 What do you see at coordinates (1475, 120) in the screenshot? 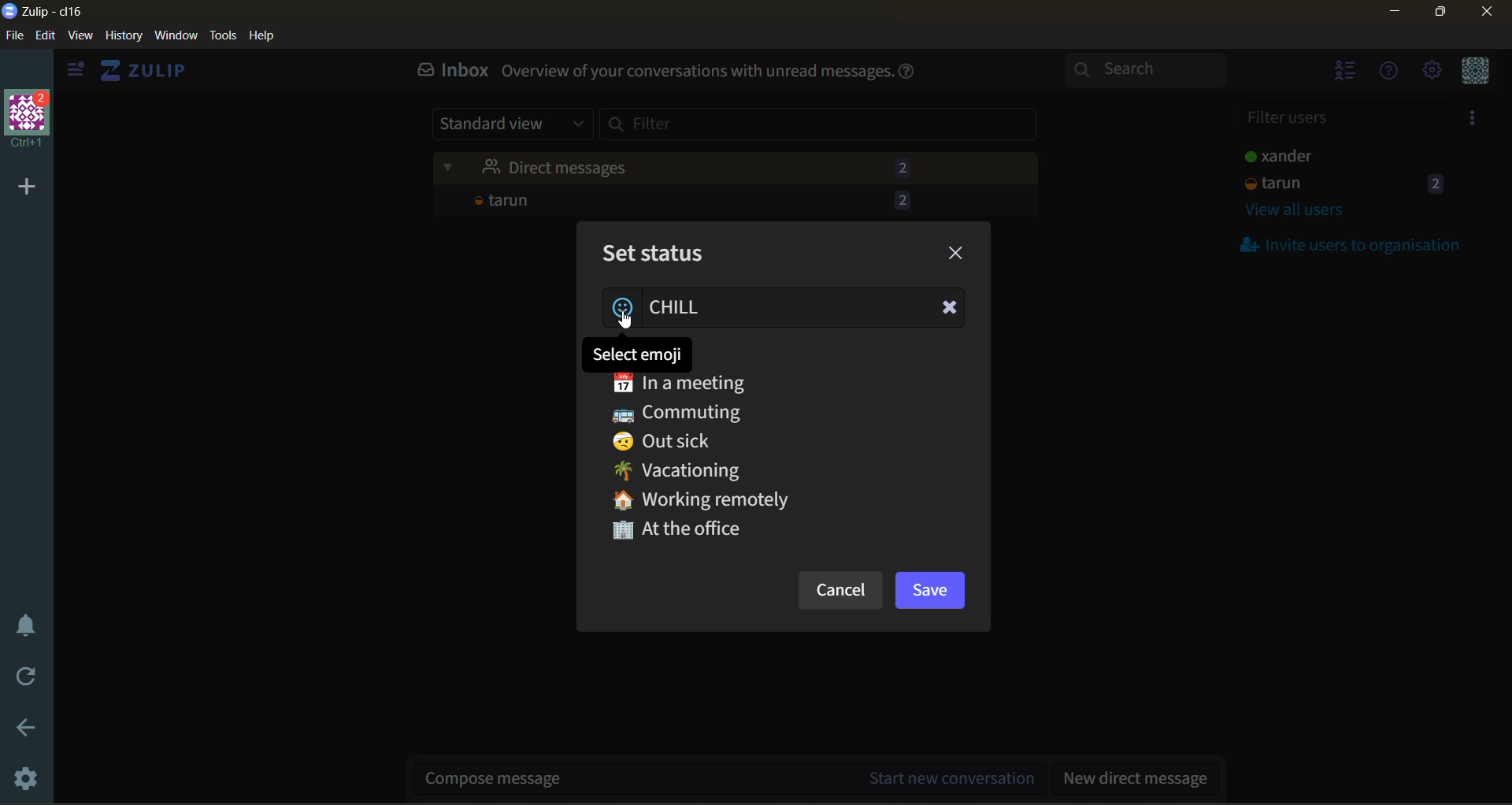
I see `invite users to organisation` at bounding box center [1475, 120].